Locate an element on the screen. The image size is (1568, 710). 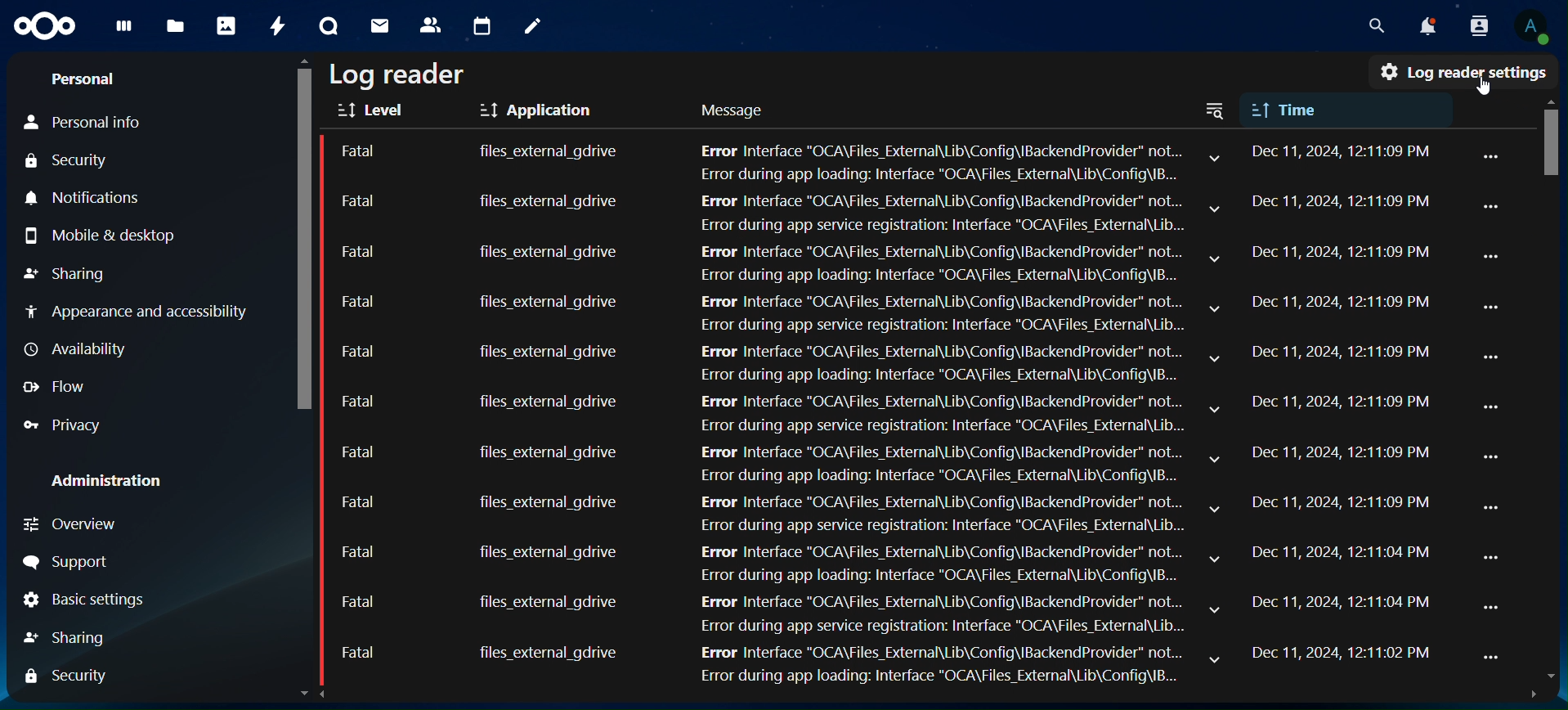
appearance and accessibilty is located at coordinates (140, 312).